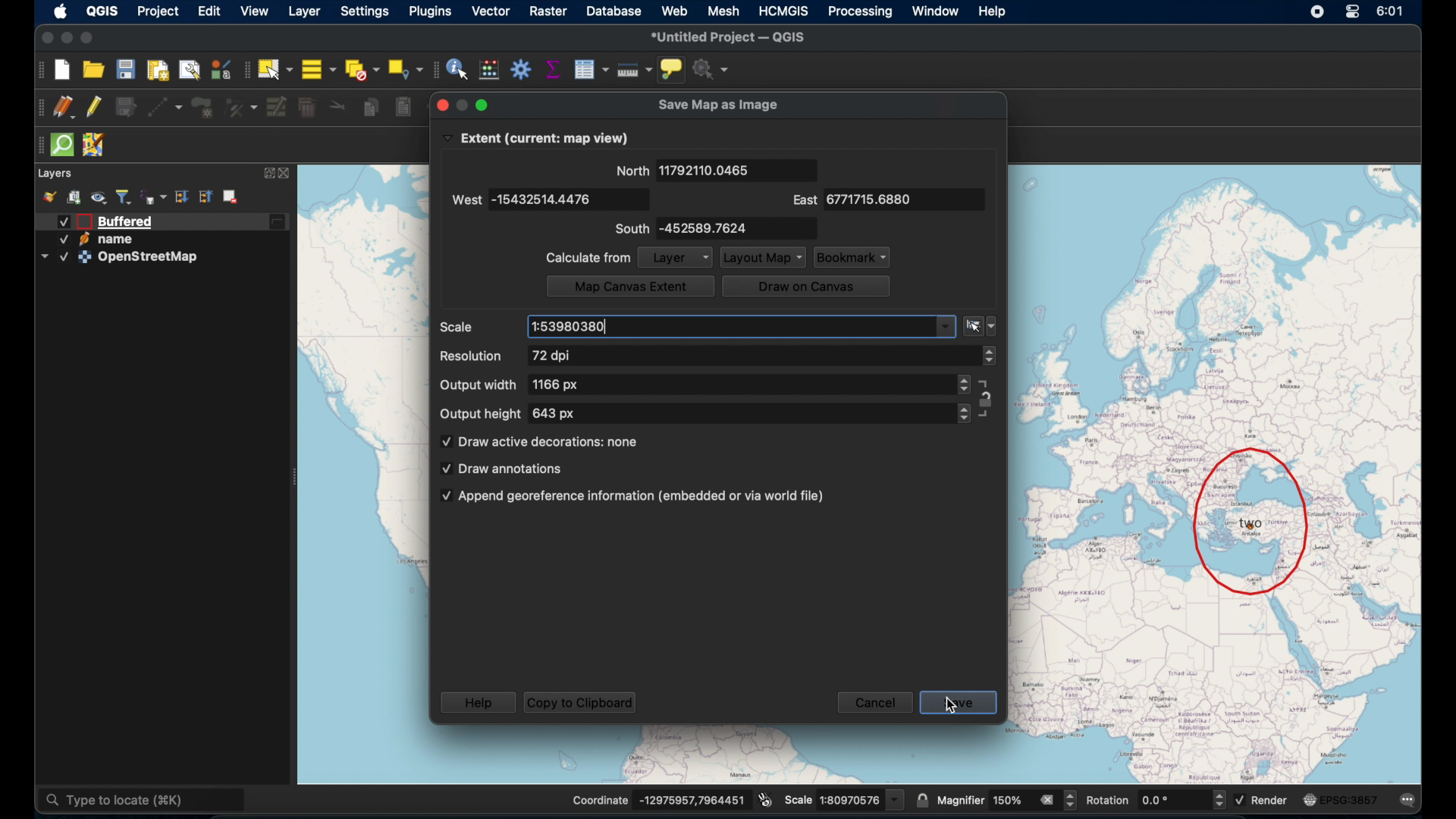  I want to click on scale, so click(984, 324).